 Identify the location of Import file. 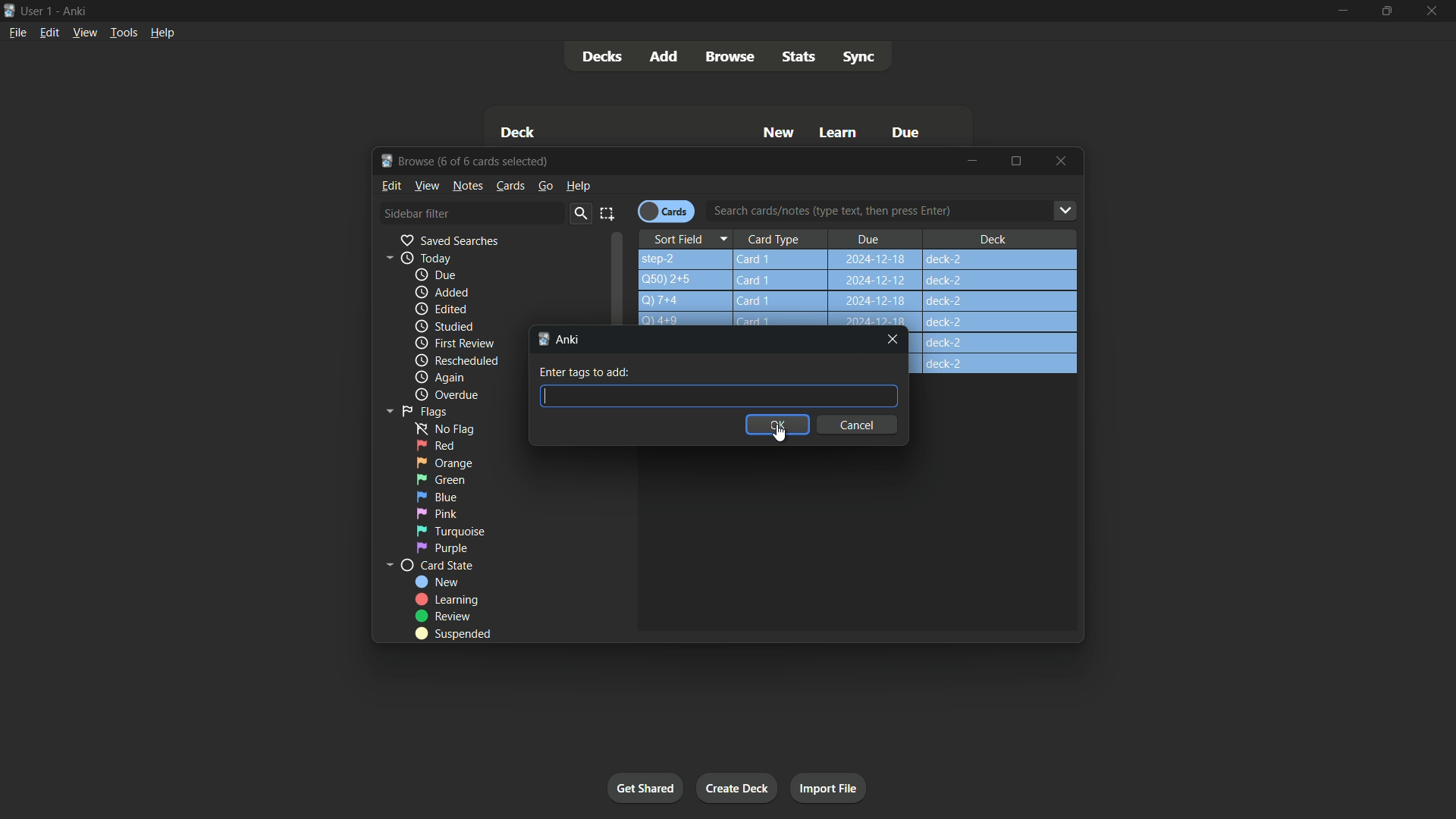
(830, 789).